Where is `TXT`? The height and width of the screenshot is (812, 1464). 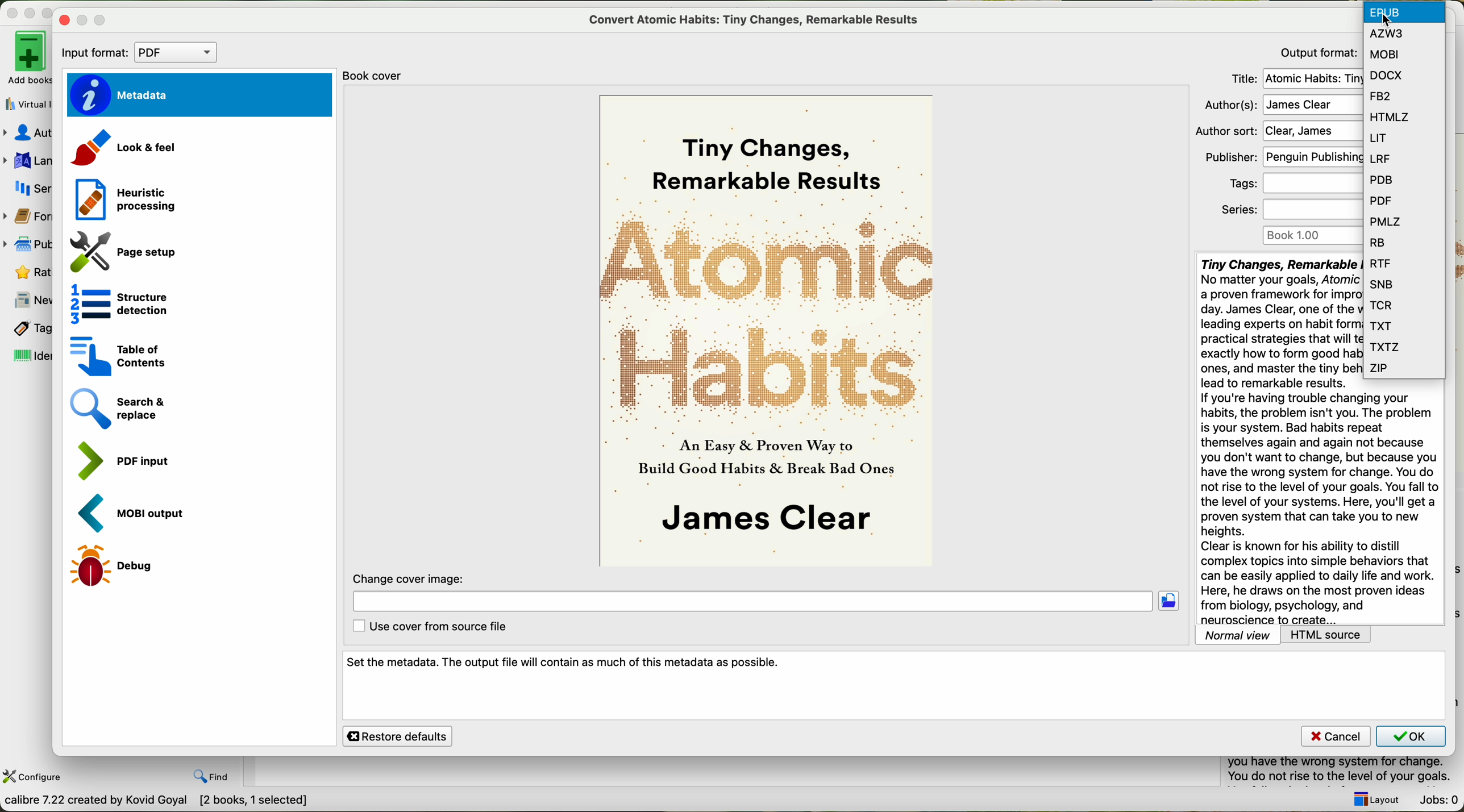 TXT is located at coordinates (1405, 325).